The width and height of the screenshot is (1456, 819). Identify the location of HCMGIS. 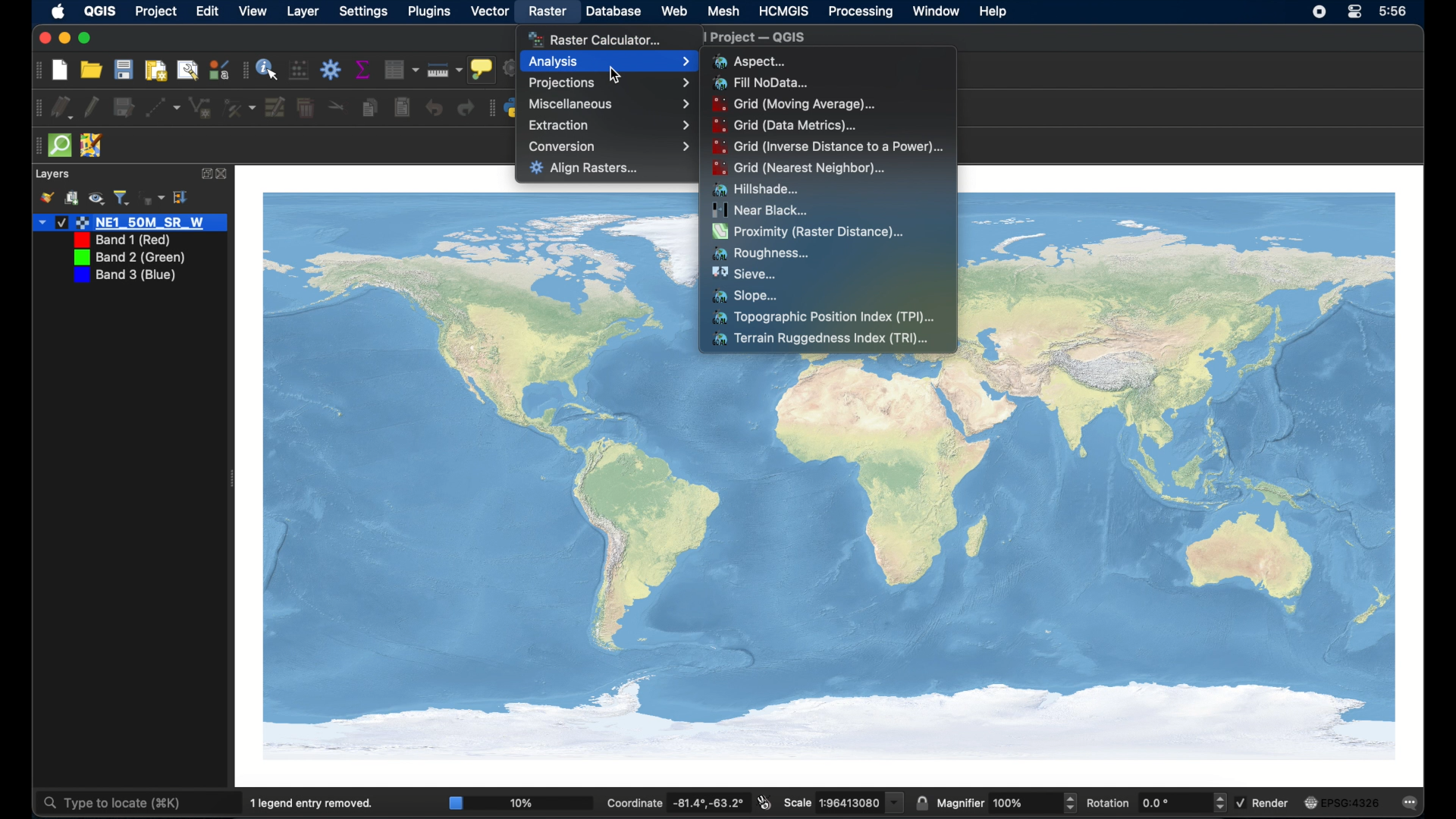
(783, 11).